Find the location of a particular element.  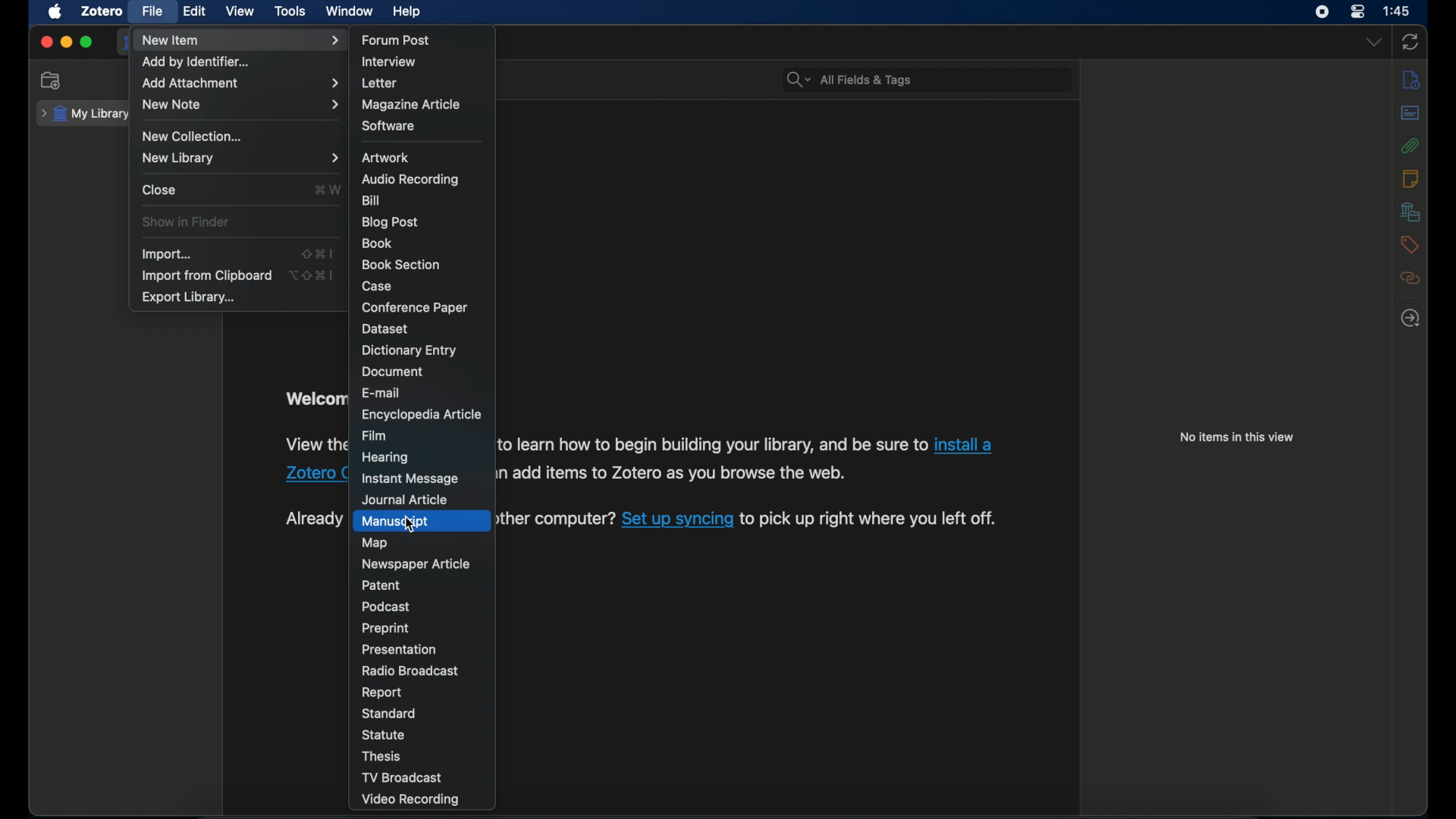

1:45 is located at coordinates (1398, 11).